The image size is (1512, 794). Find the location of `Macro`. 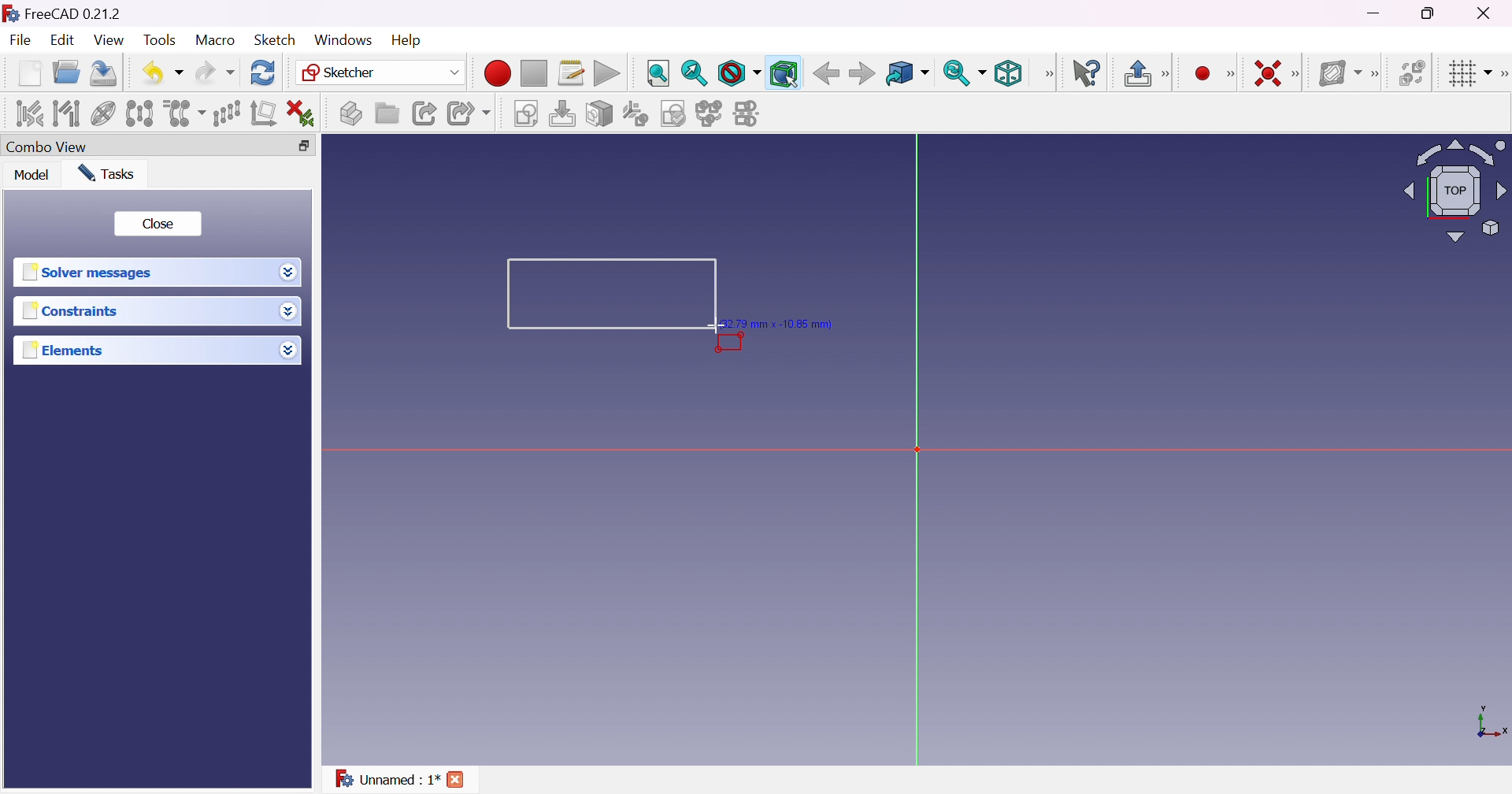

Macro is located at coordinates (215, 42).